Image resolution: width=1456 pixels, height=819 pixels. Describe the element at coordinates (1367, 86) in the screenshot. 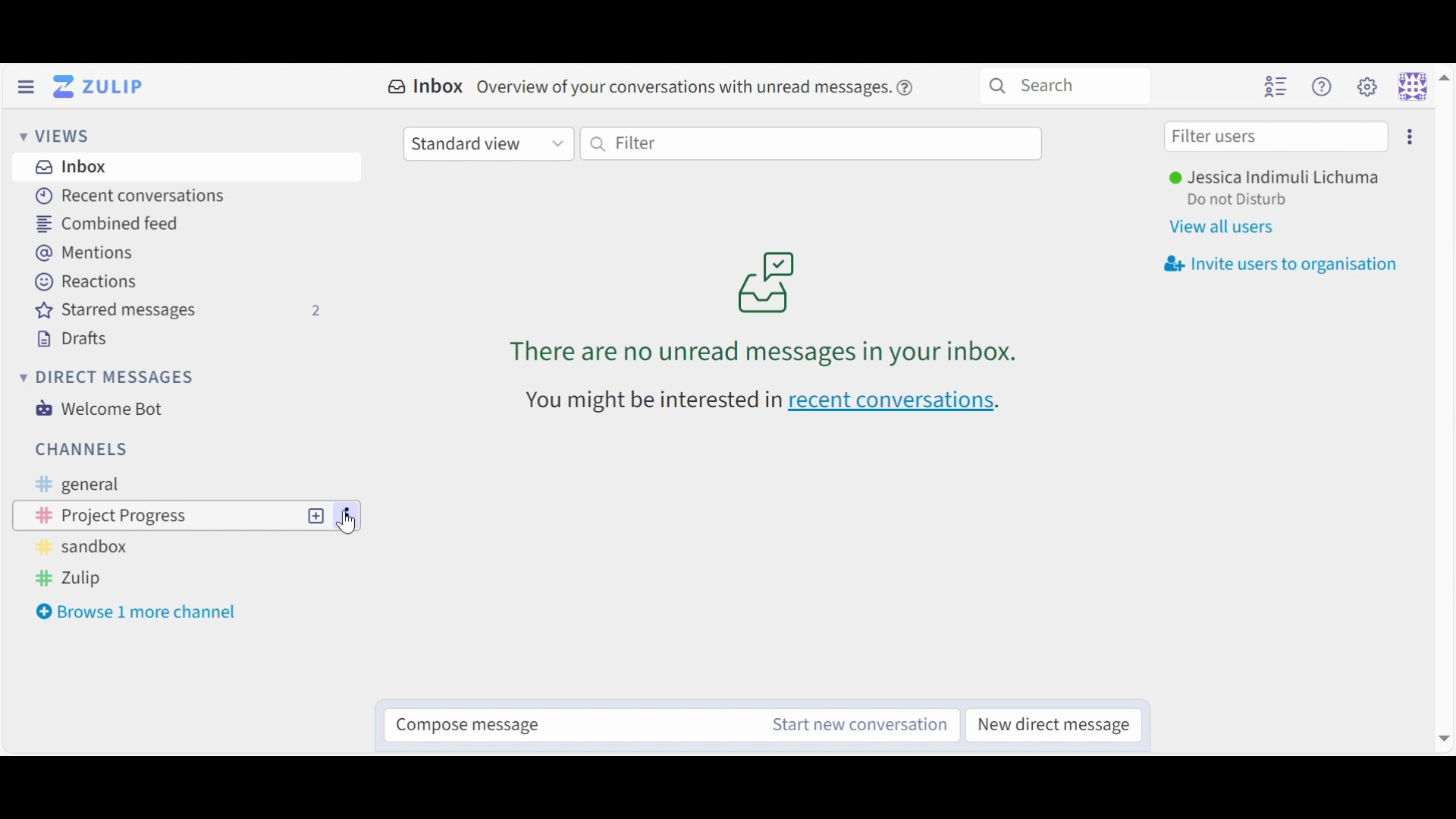

I see `Main menu` at that location.